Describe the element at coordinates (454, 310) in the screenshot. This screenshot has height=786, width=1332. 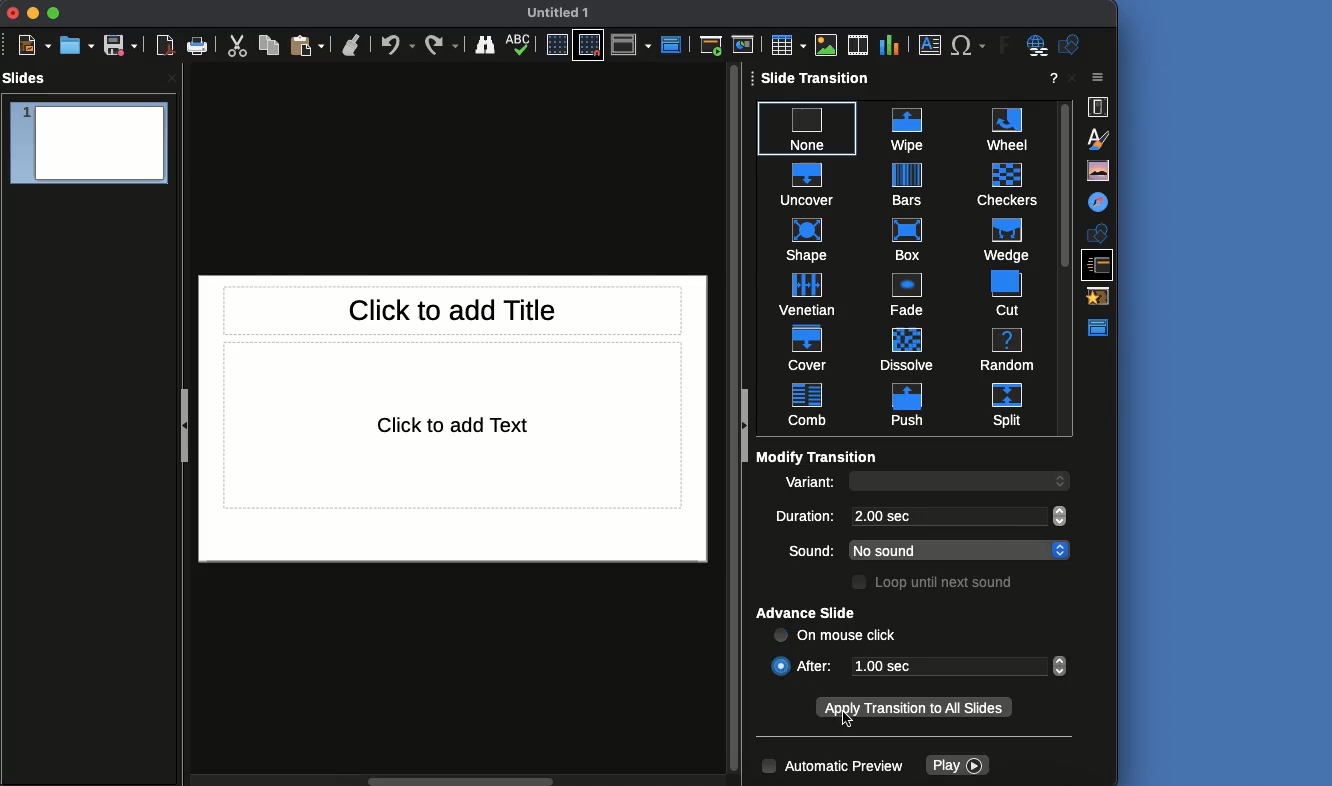
I see `Title` at that location.